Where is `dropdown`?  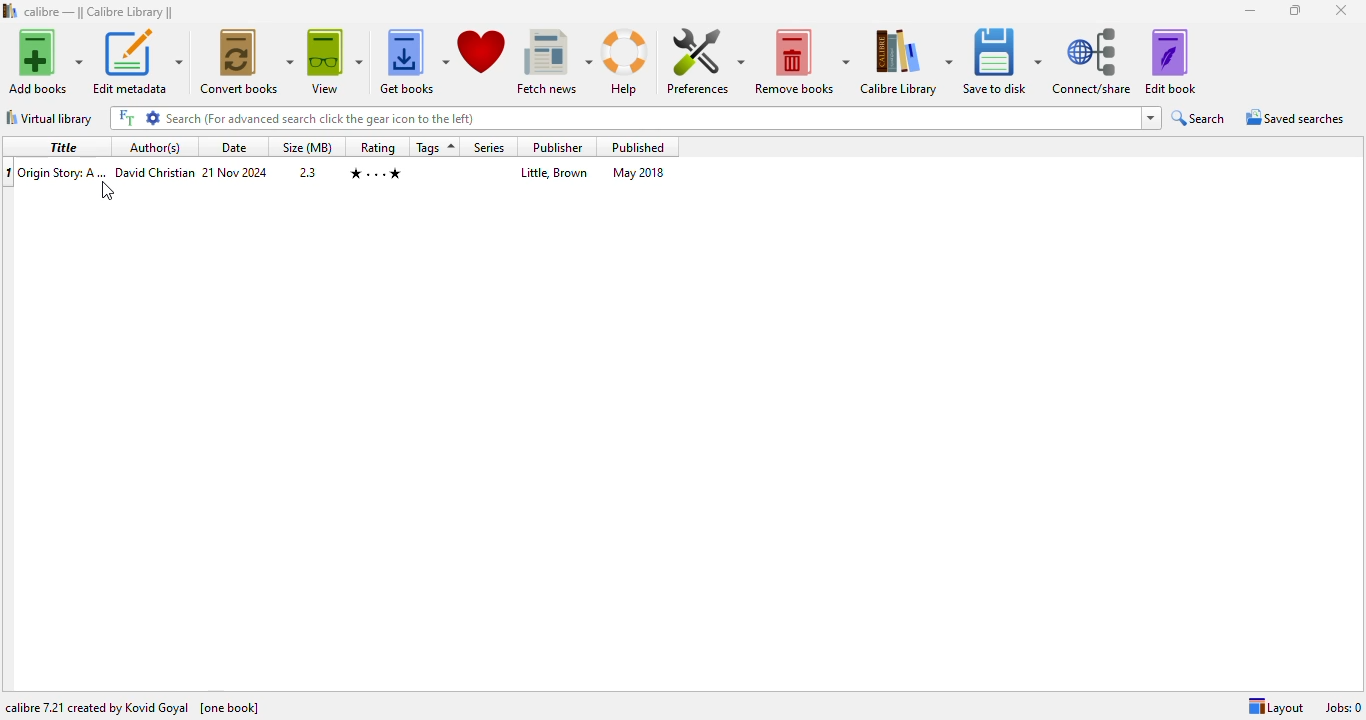
dropdown is located at coordinates (1152, 118).